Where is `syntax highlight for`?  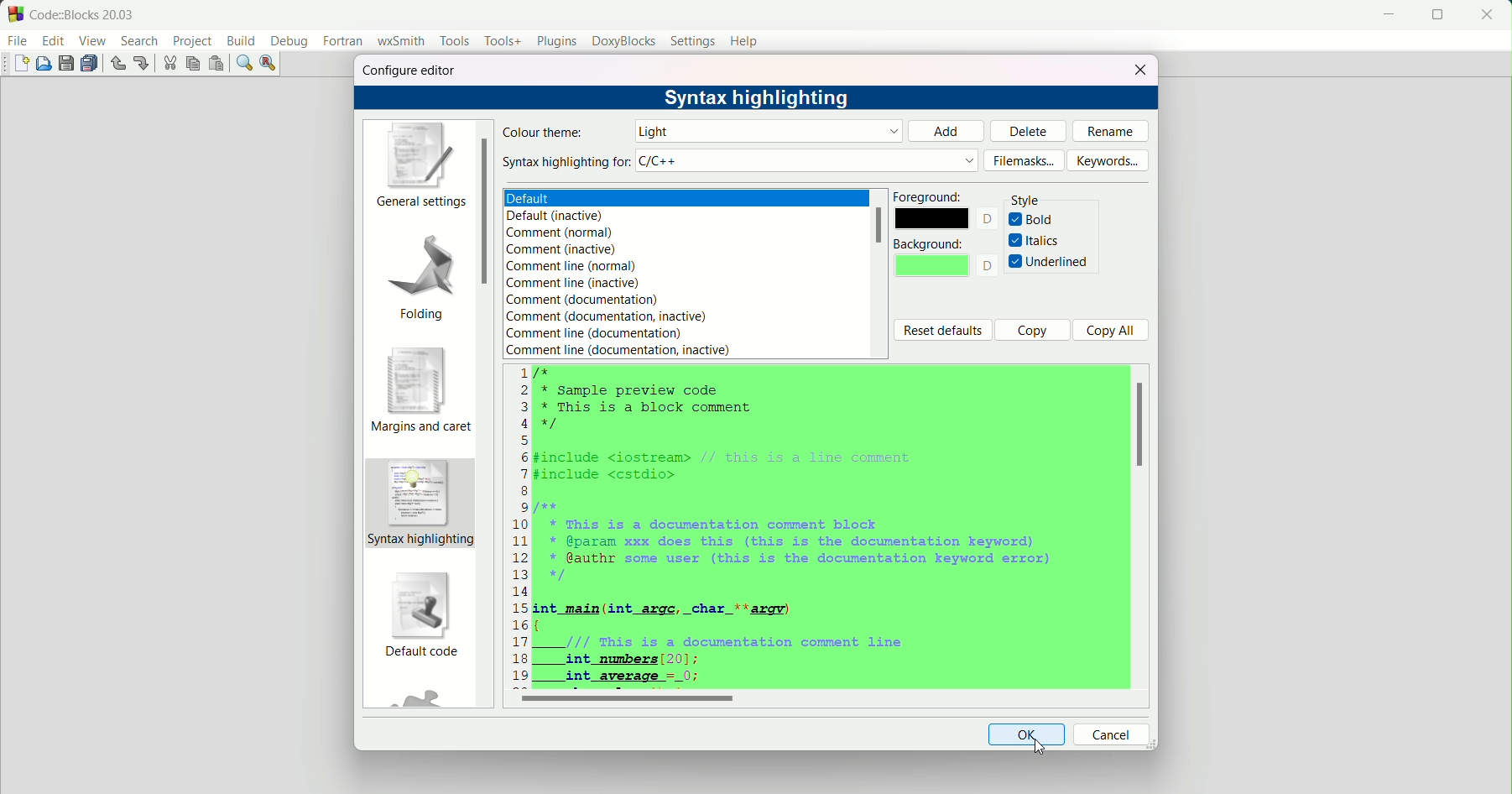 syntax highlight for is located at coordinates (566, 162).